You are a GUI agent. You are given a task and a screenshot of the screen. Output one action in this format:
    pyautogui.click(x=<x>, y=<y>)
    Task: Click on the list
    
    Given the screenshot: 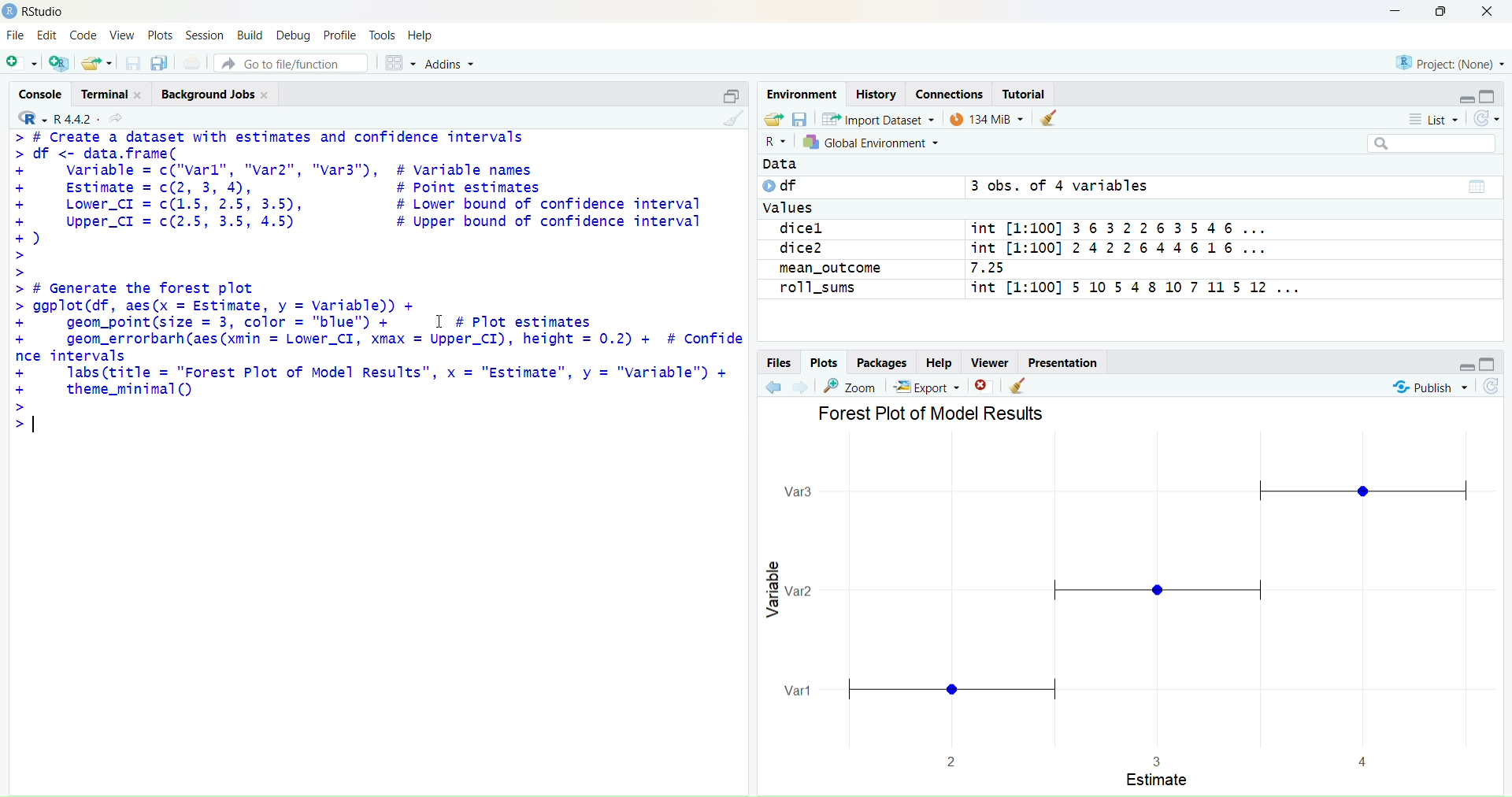 What is the action you would take?
    pyautogui.click(x=1434, y=118)
    